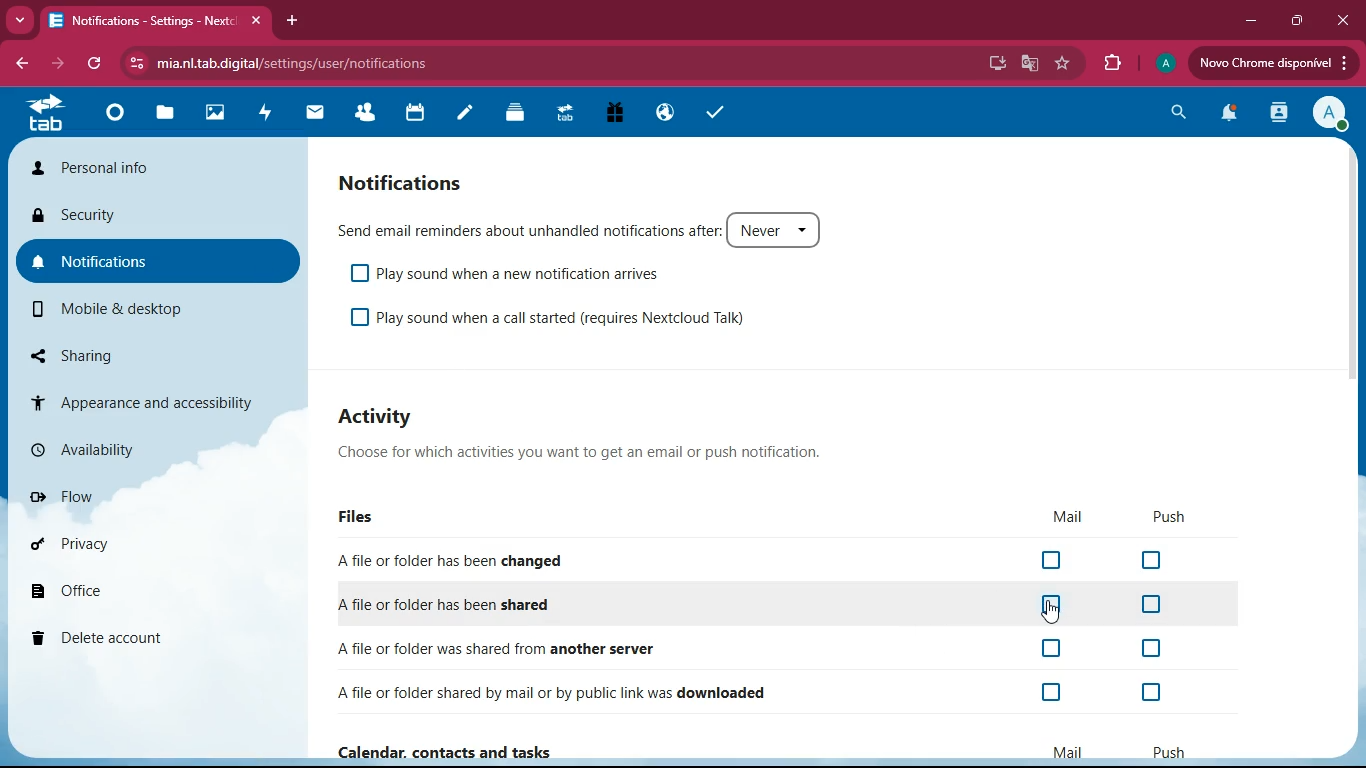  I want to click on push, so click(1169, 515).